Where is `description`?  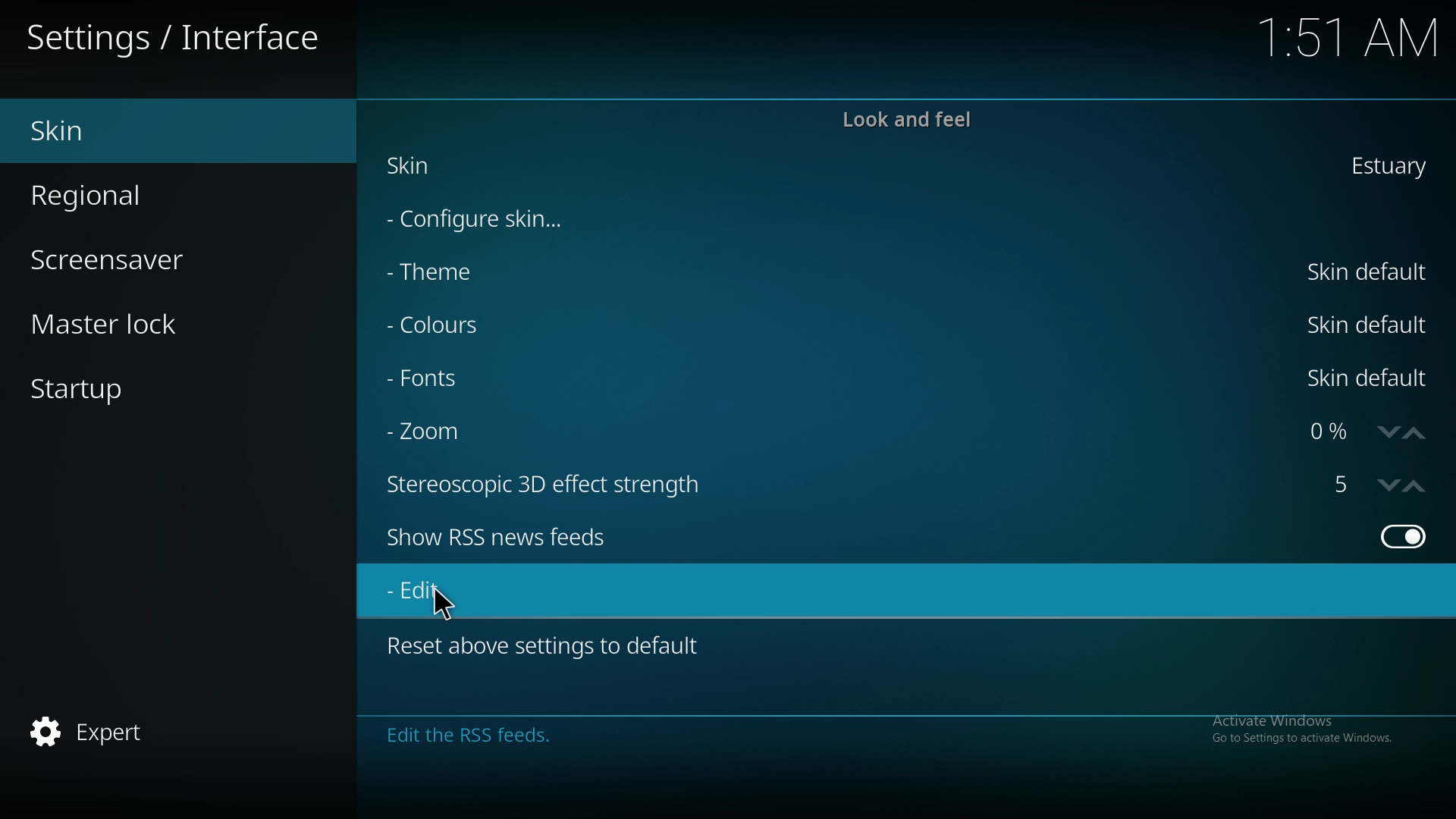
description is located at coordinates (628, 733).